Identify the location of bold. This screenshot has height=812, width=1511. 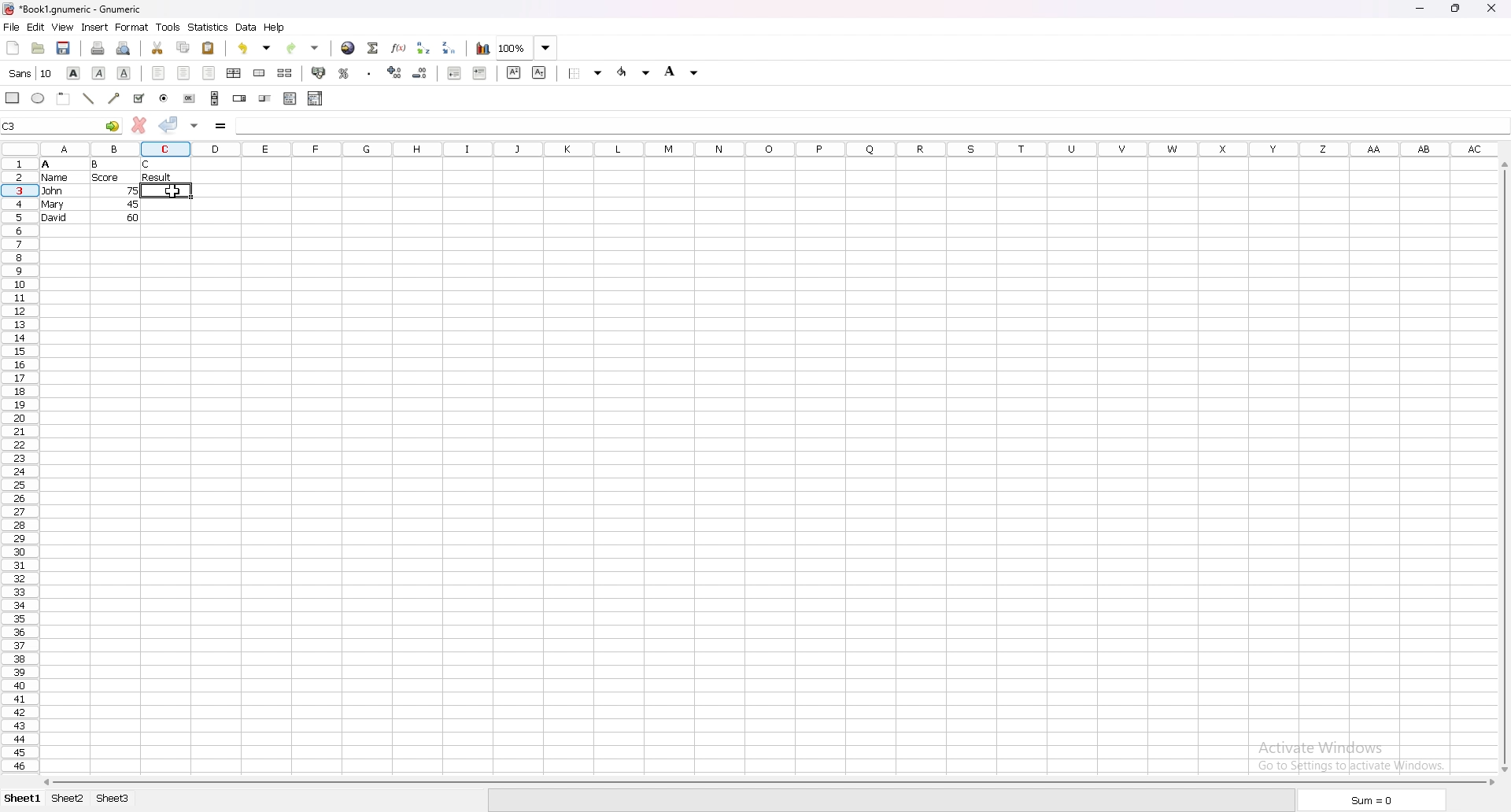
(74, 73).